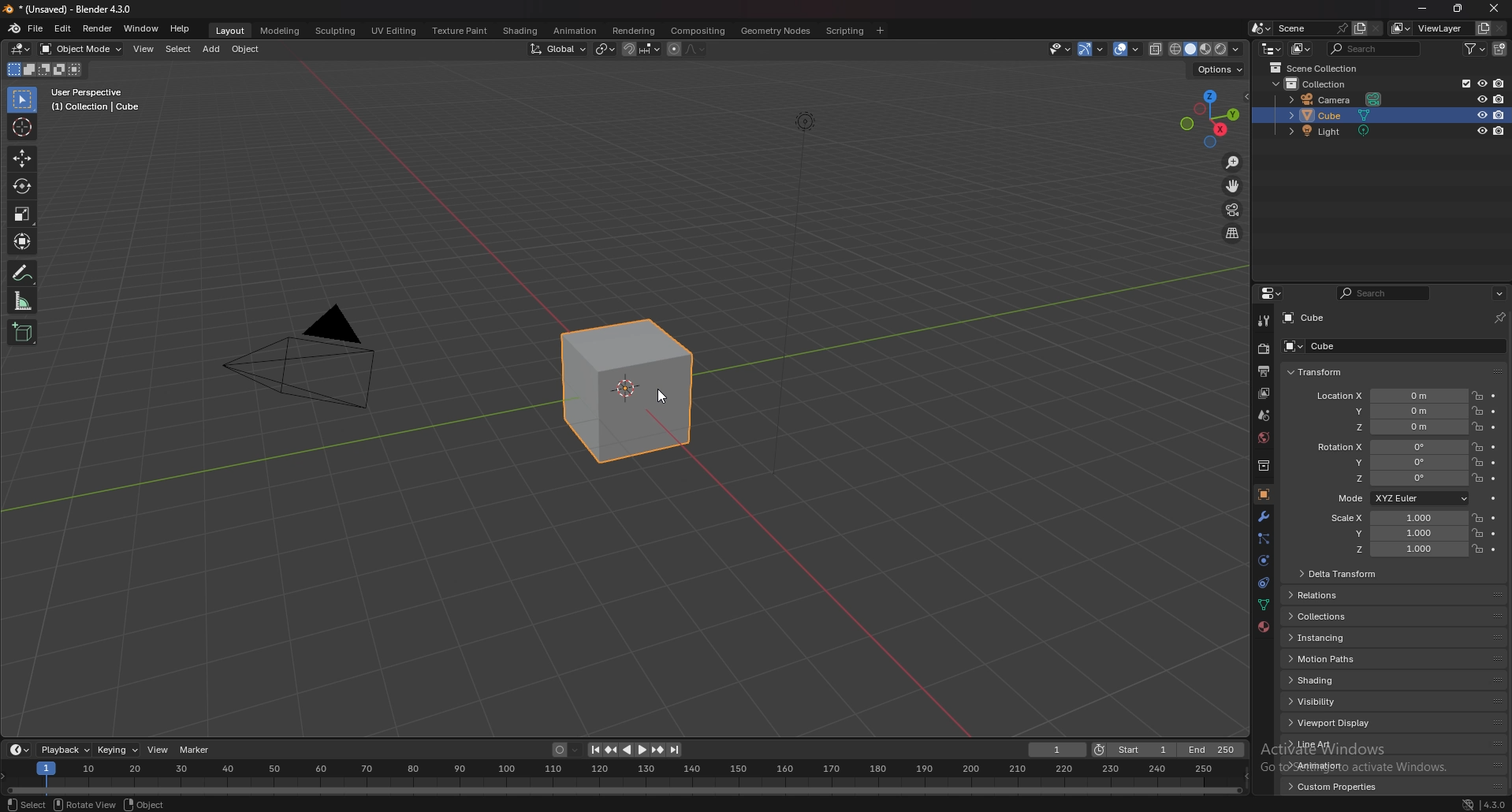  What do you see at coordinates (1055, 750) in the screenshot?
I see `1` at bounding box center [1055, 750].